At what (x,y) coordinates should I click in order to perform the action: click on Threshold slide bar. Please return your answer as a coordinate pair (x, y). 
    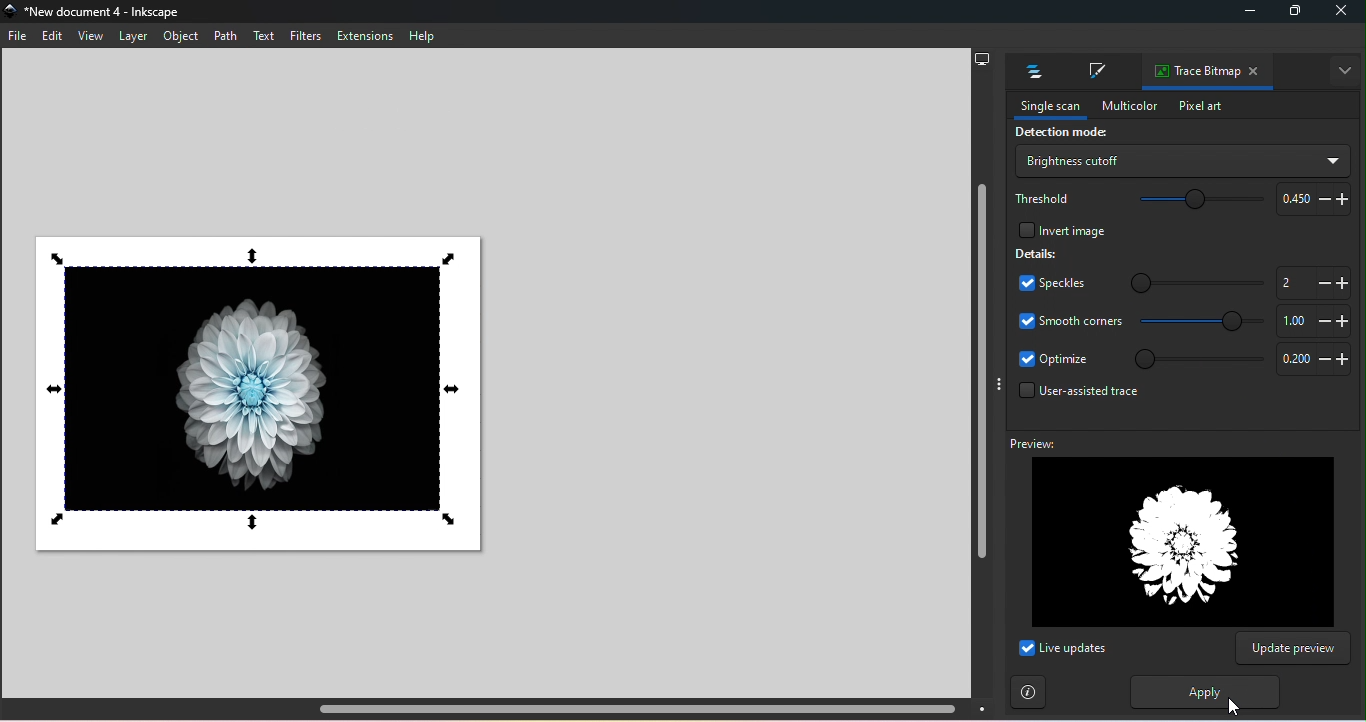
    Looking at the image, I should click on (1191, 201).